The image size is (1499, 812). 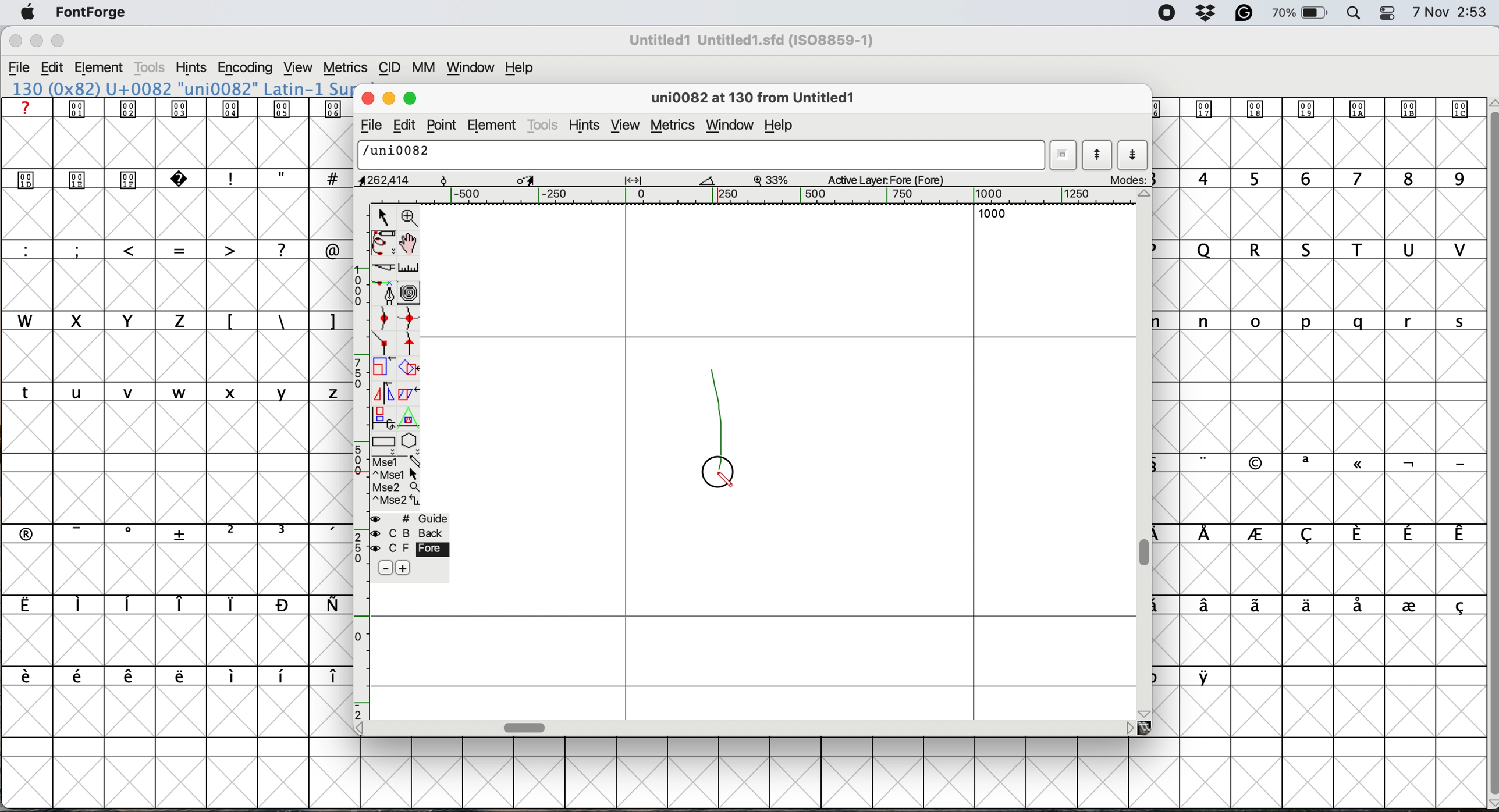 I want to click on special characters, so click(x=278, y=320).